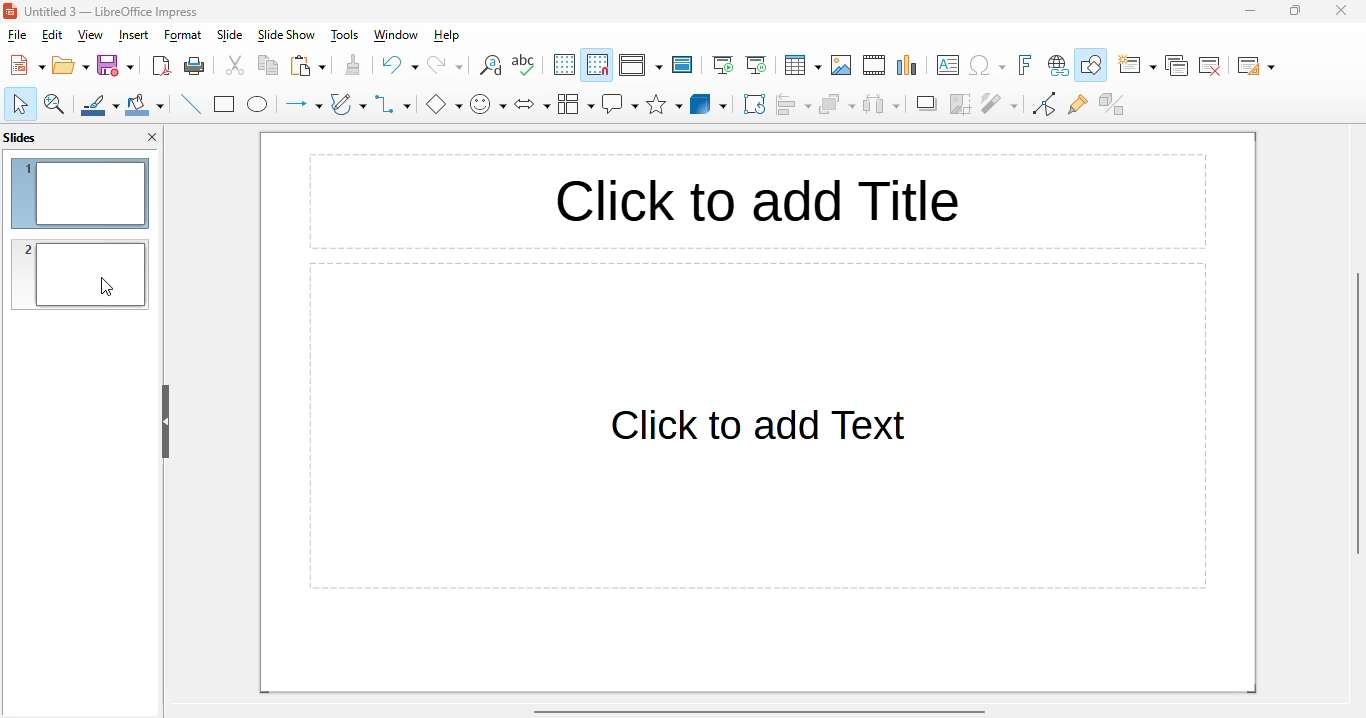 The image size is (1366, 718). What do you see at coordinates (191, 104) in the screenshot?
I see `insert line` at bounding box center [191, 104].